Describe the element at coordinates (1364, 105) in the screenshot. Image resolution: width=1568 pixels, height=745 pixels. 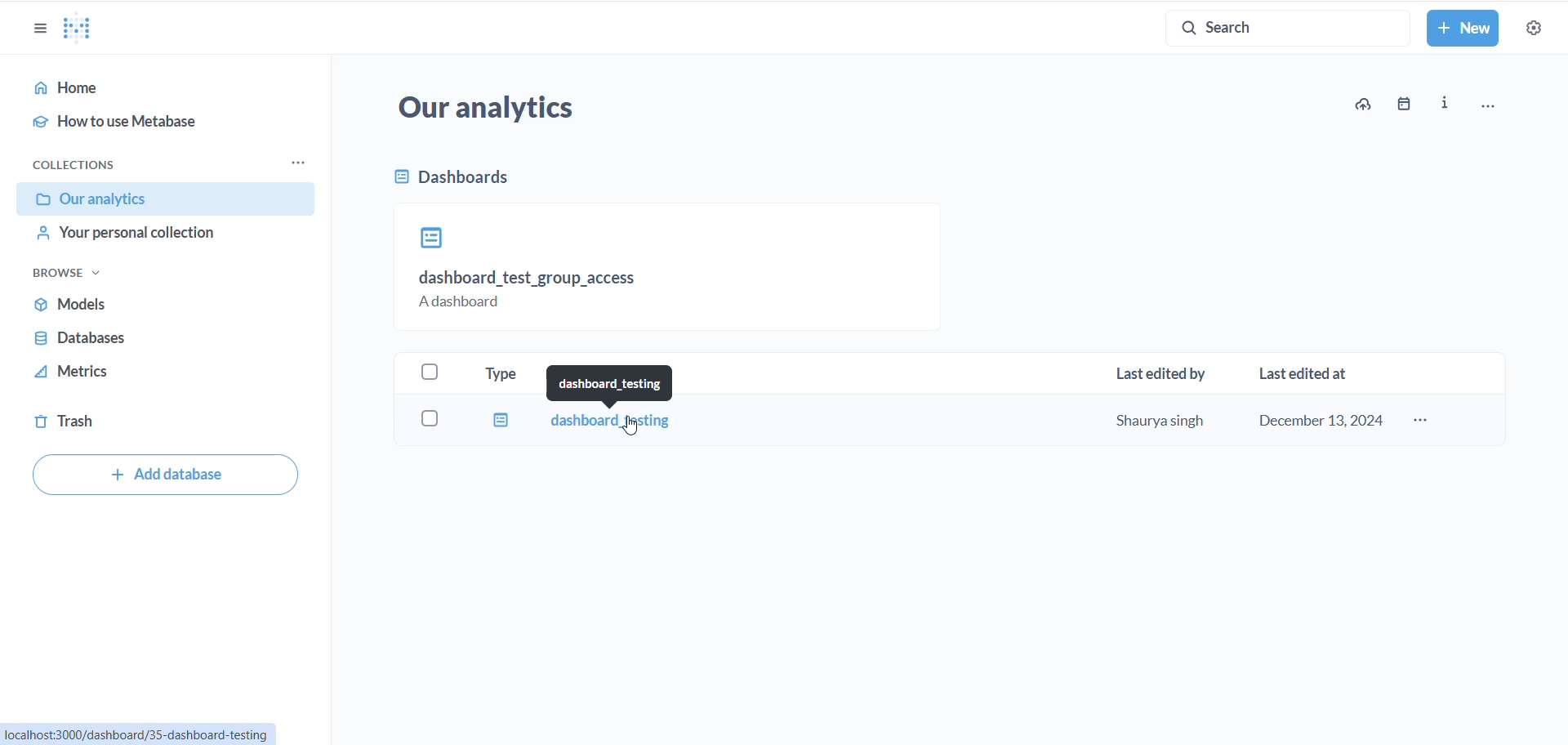
I see `upload` at that location.